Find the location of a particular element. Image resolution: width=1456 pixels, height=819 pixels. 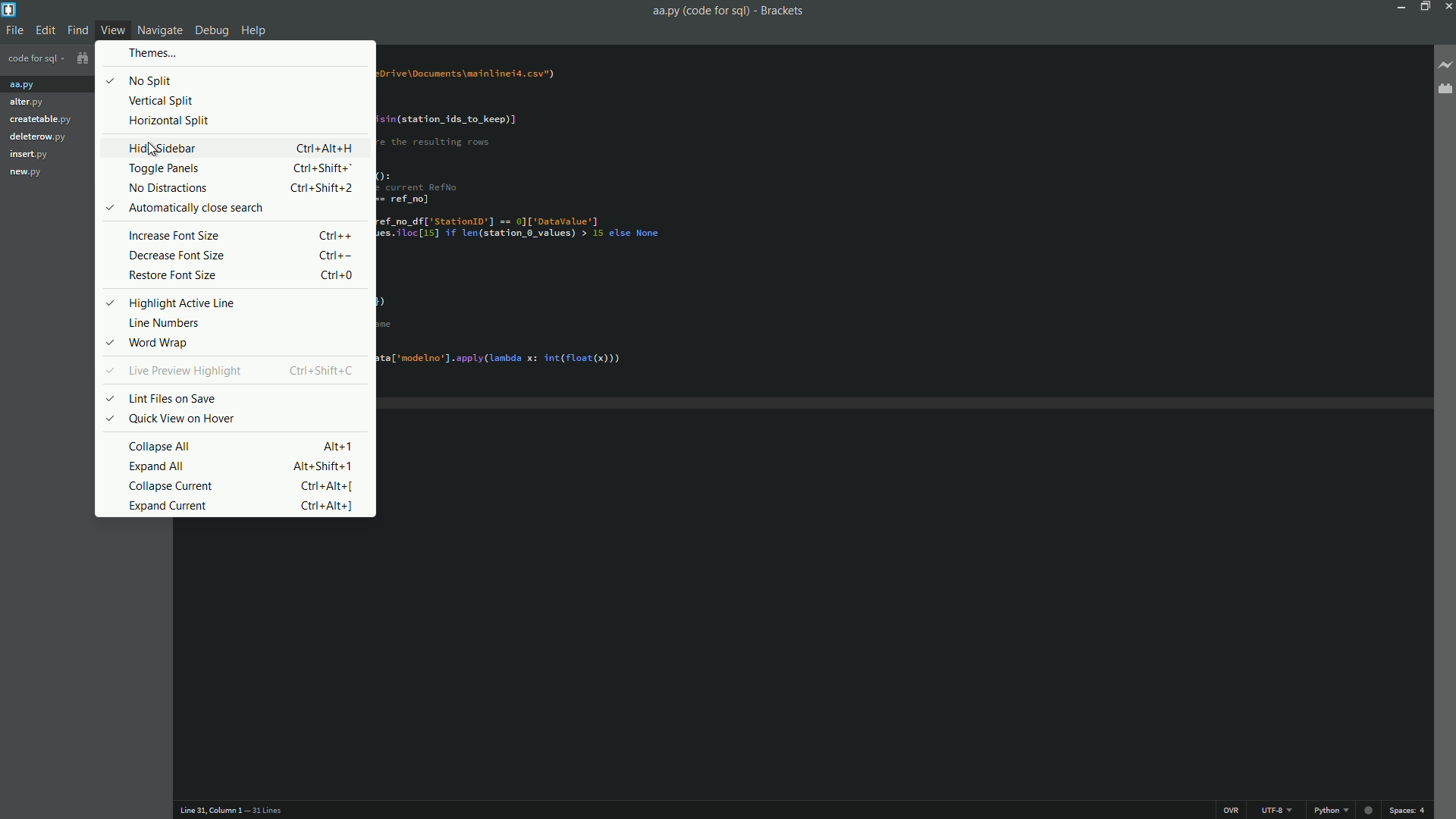

quick view on home button is located at coordinates (180, 419).